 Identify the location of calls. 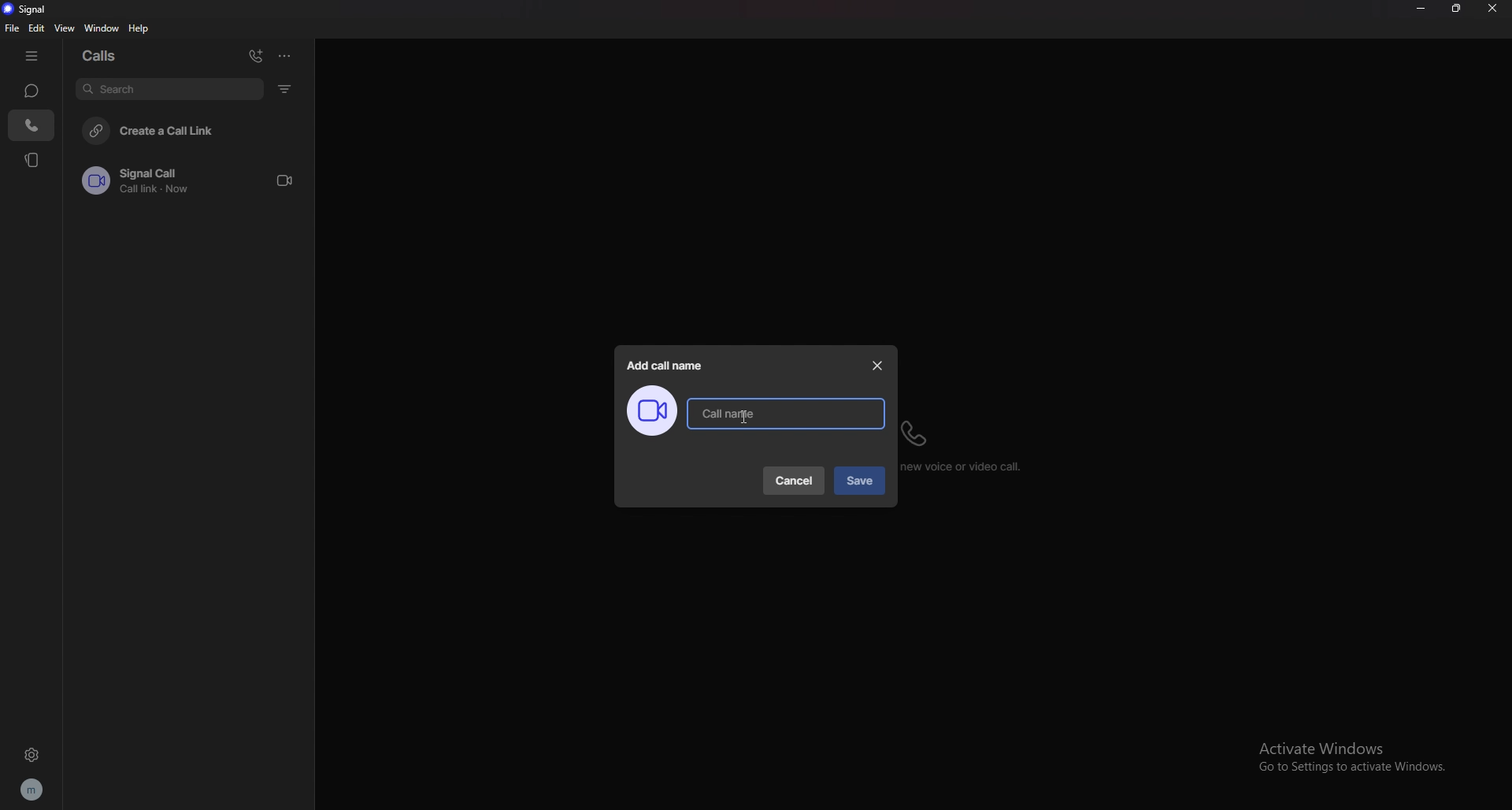
(32, 125).